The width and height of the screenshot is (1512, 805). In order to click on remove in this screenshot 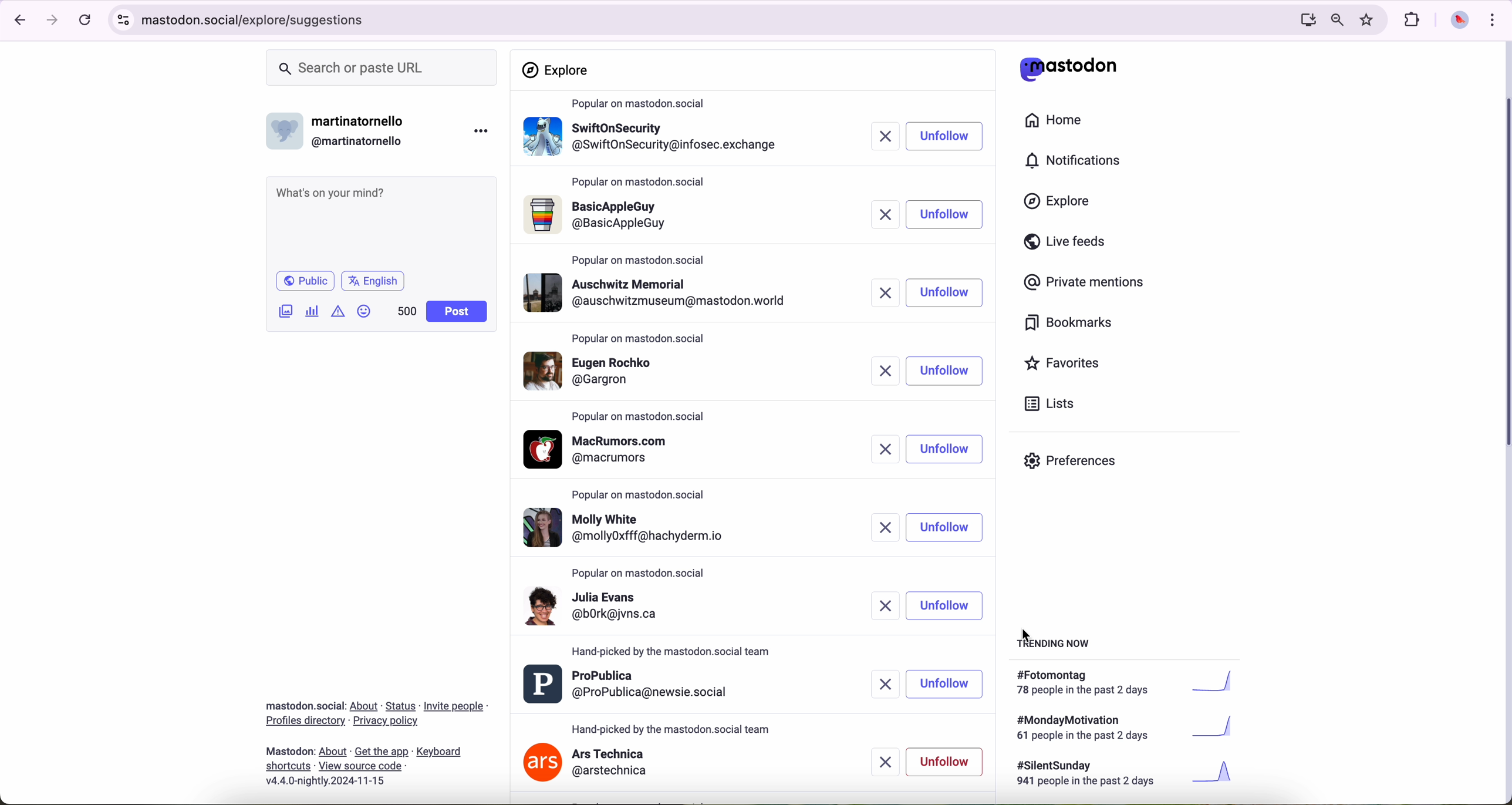, I will do `click(880, 527)`.